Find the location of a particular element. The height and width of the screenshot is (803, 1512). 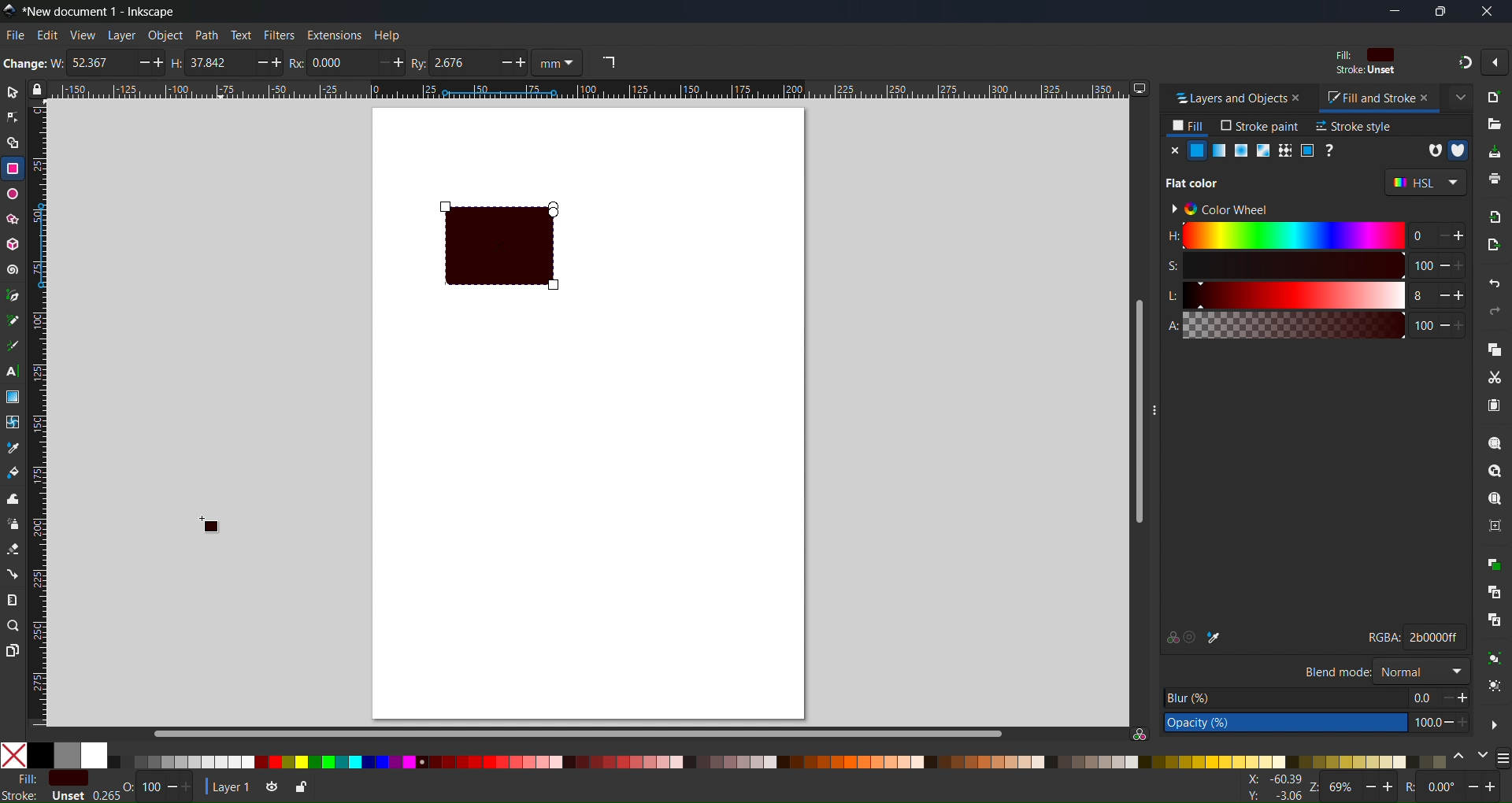

Connector tool is located at coordinates (13, 573).